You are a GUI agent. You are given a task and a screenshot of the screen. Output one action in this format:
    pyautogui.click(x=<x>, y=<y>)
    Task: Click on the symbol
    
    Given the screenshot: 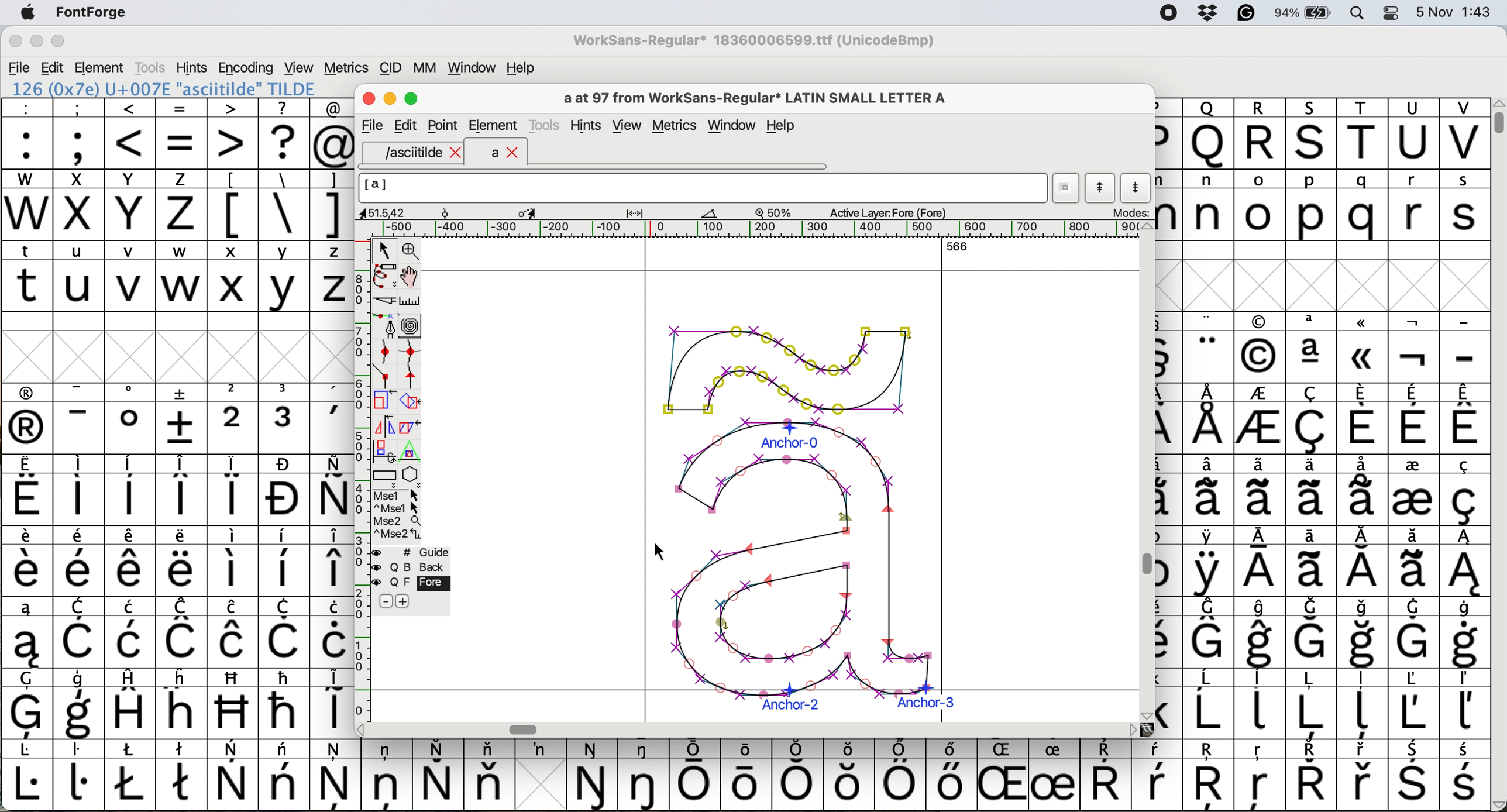 What is the action you would take?
    pyautogui.click(x=82, y=634)
    